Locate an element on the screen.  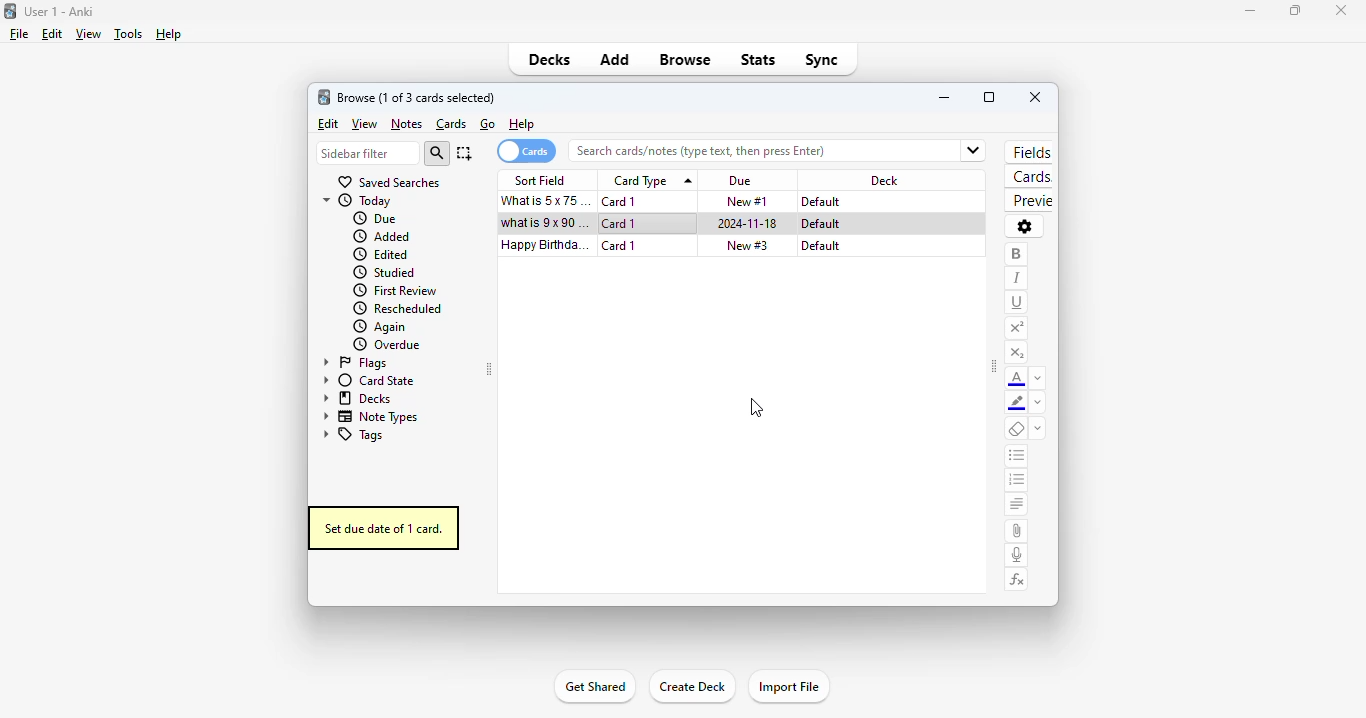
create deck is located at coordinates (690, 685).